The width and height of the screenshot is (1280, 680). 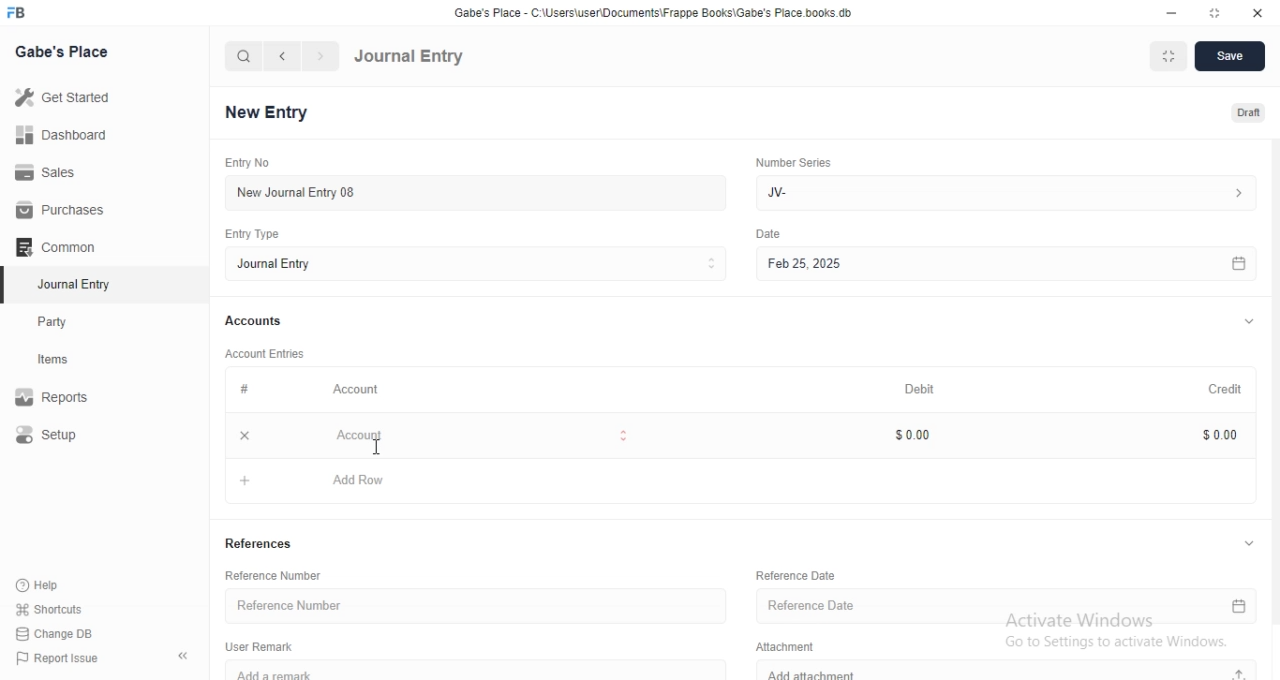 I want to click on search, so click(x=244, y=57).